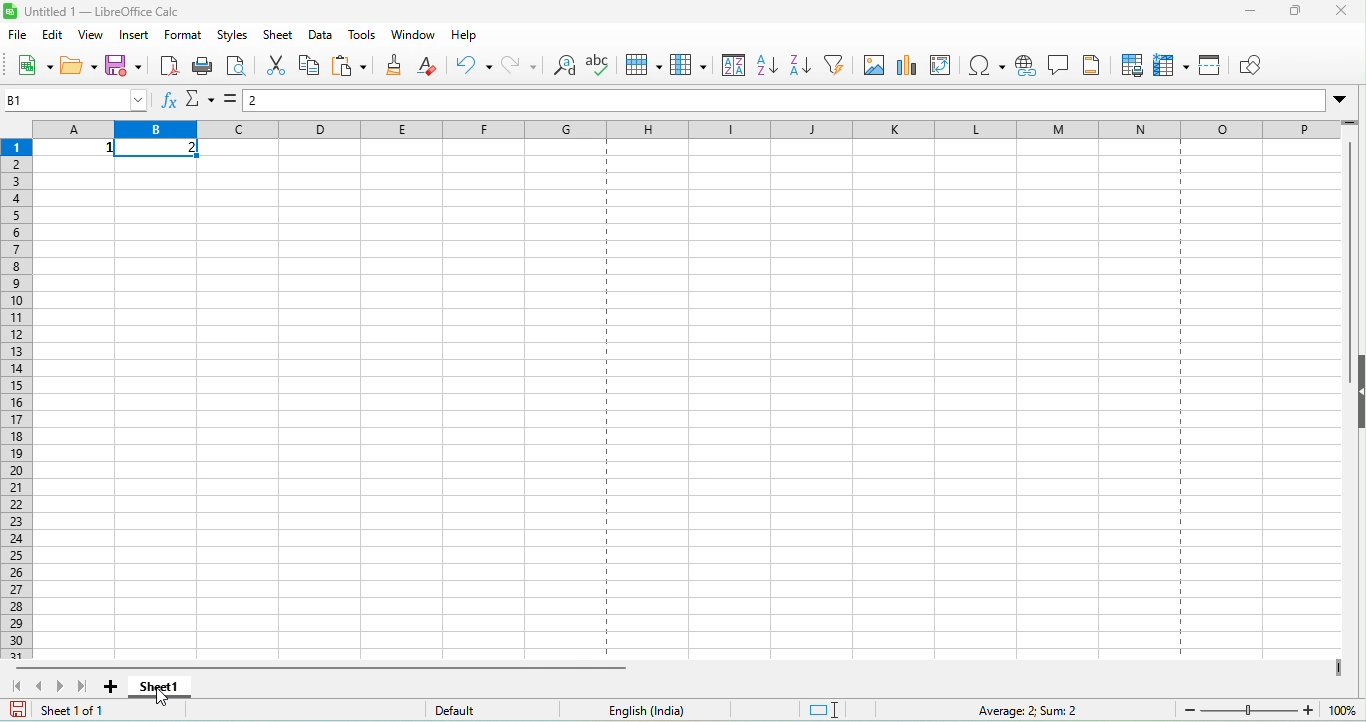  I want to click on sort, so click(733, 68).